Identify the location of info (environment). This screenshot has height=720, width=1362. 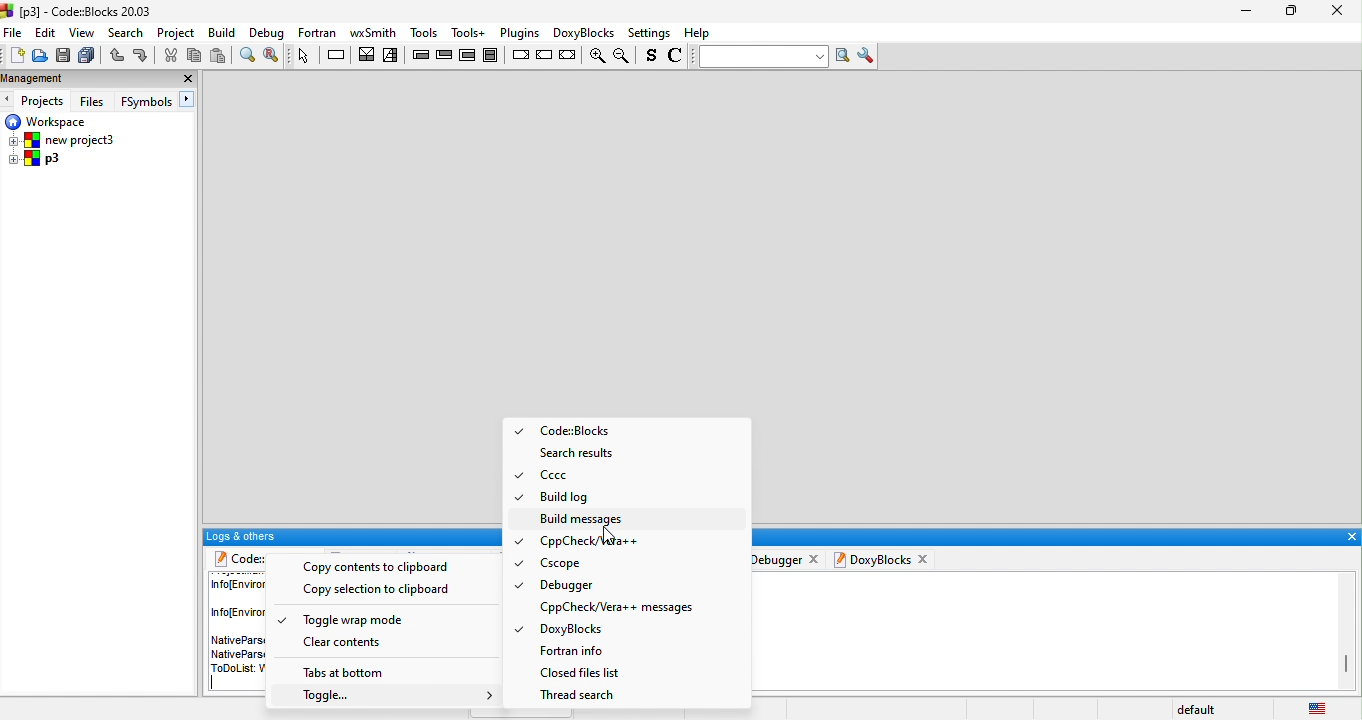
(236, 599).